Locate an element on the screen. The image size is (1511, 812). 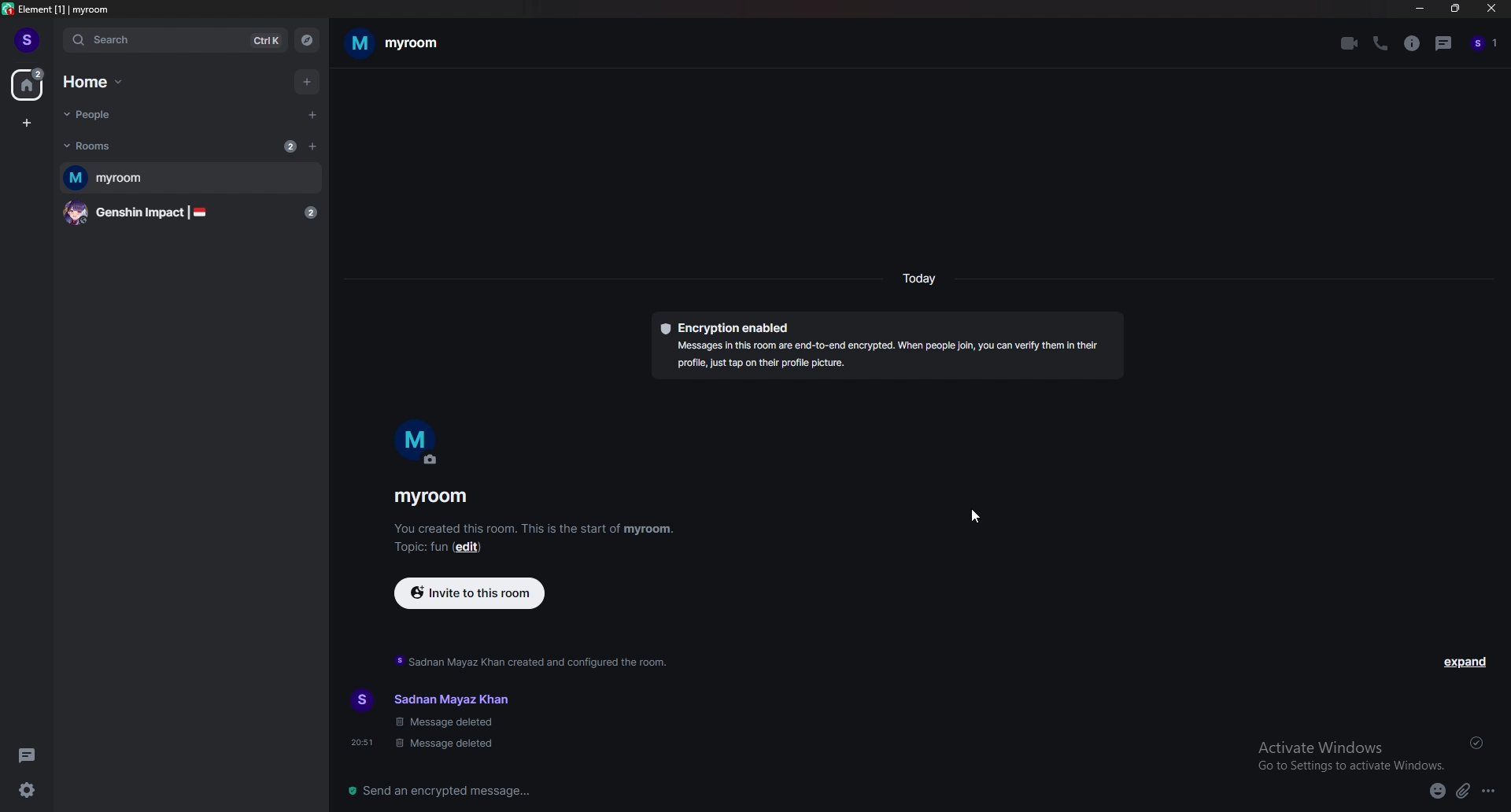
search ctrl k is located at coordinates (175, 40).